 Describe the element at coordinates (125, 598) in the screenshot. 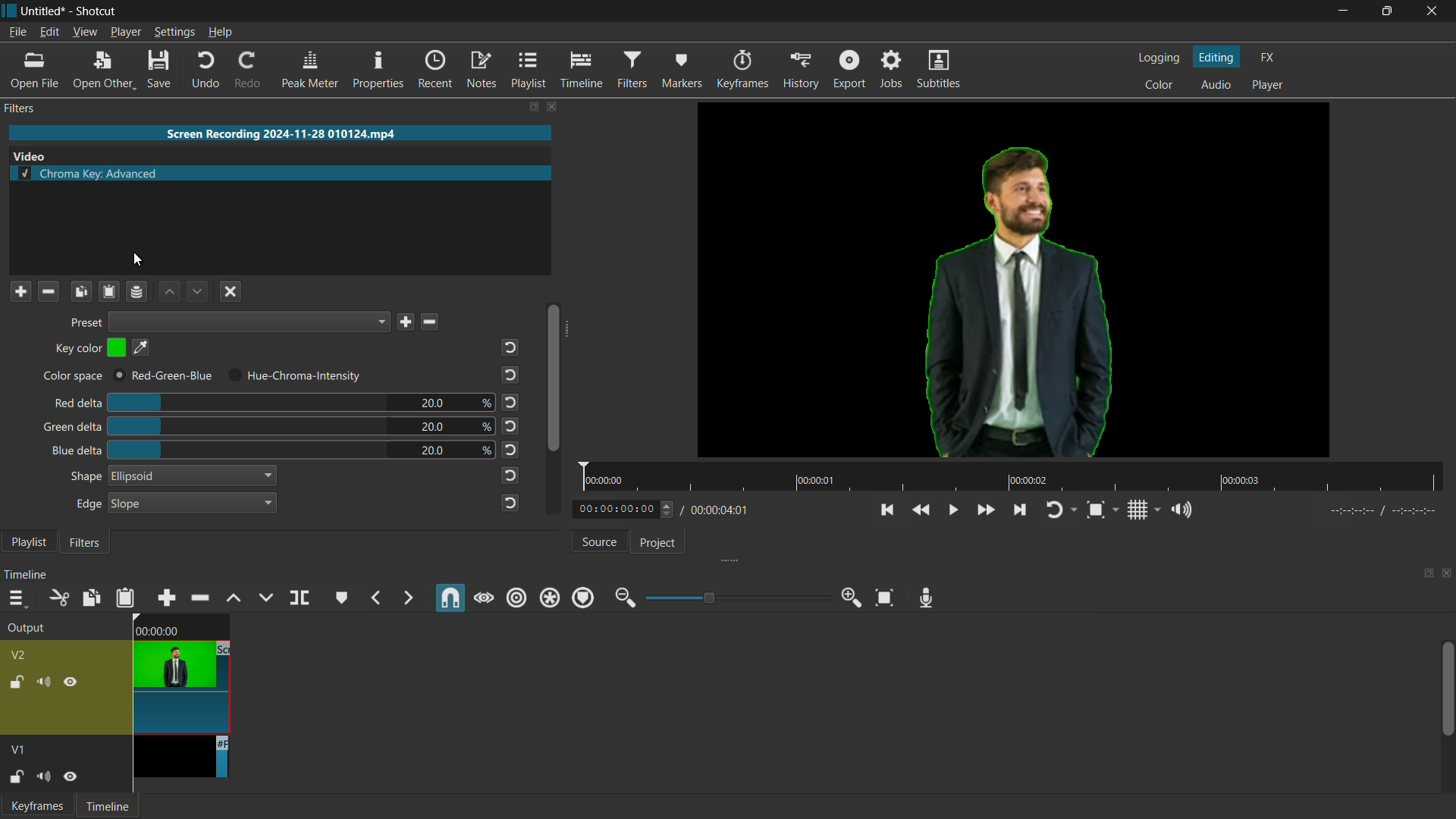

I see `paste` at that location.